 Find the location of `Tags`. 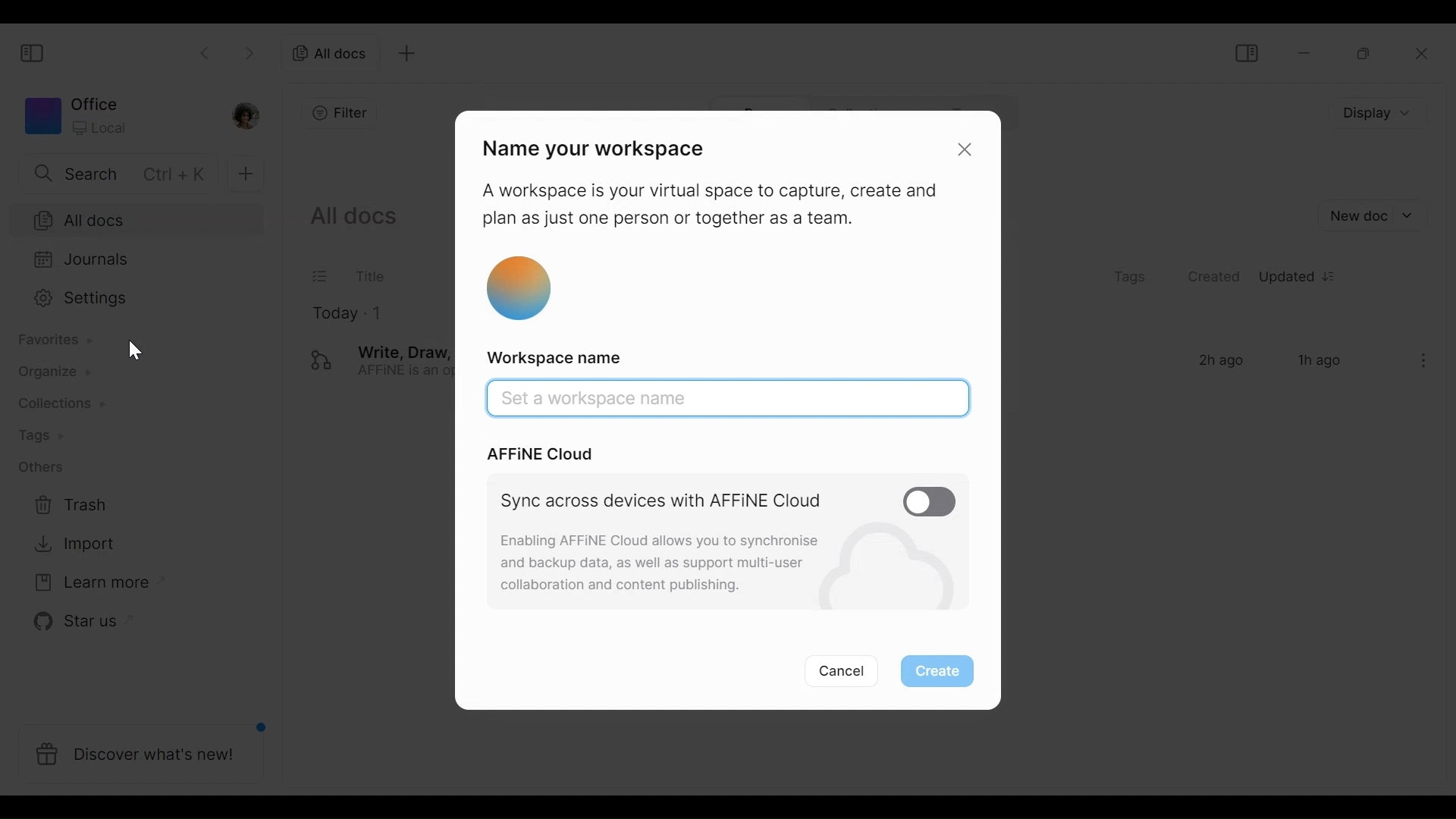

Tags is located at coordinates (33, 435).